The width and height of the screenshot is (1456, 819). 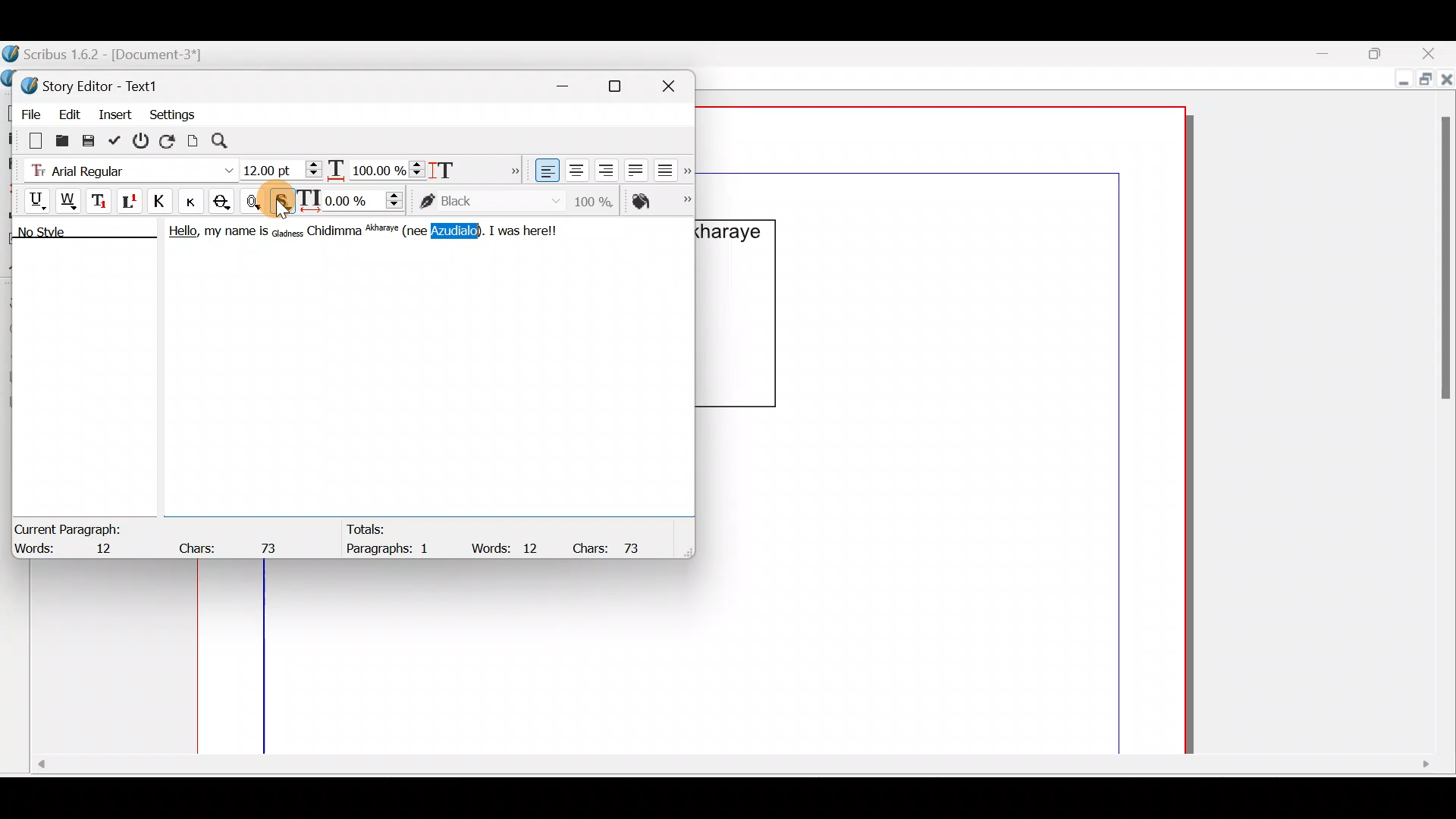 I want to click on No style, so click(x=58, y=234).